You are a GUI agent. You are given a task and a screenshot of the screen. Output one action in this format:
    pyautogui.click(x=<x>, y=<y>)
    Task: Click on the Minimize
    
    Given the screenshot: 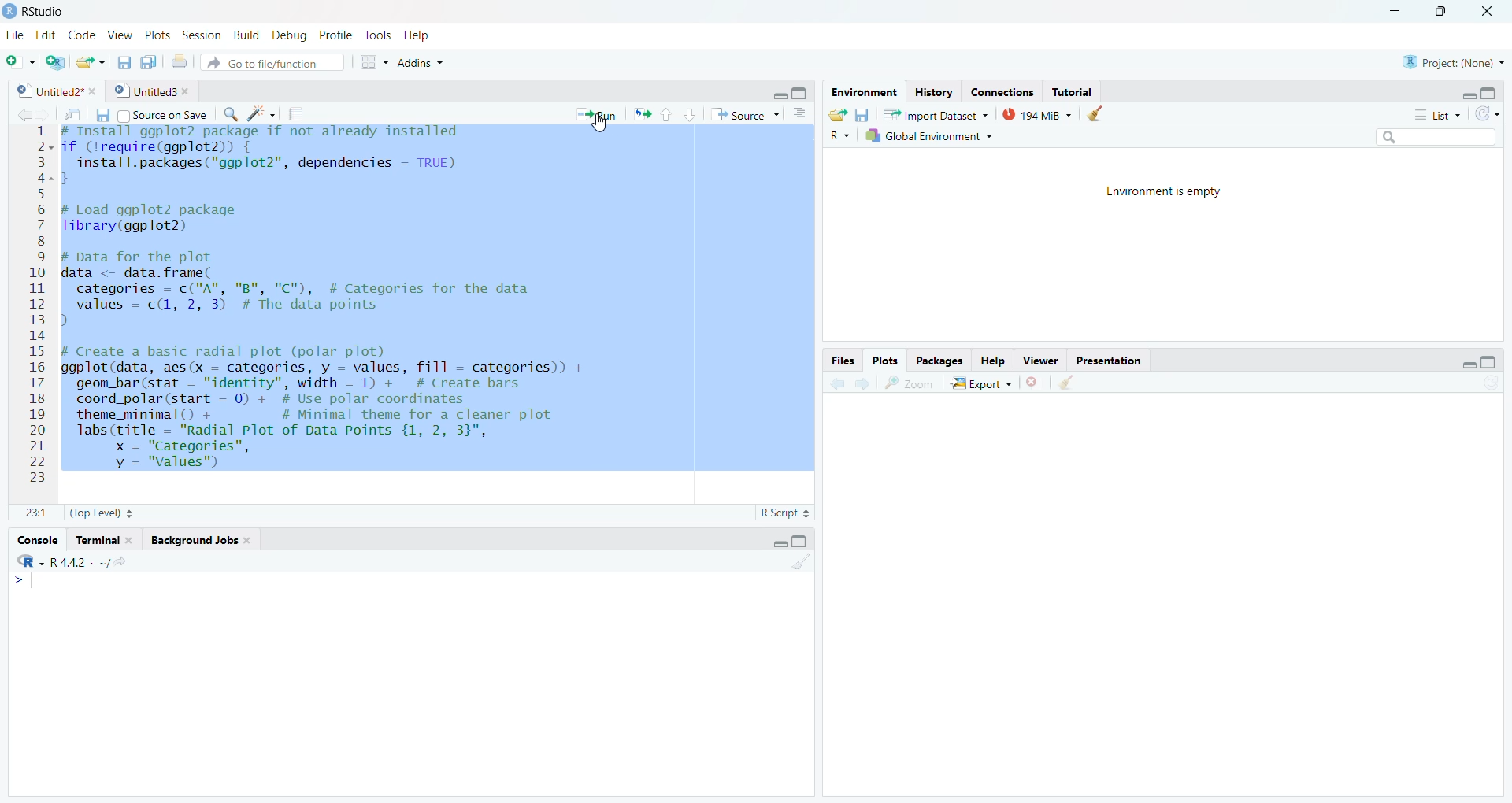 What is the action you would take?
    pyautogui.click(x=778, y=95)
    